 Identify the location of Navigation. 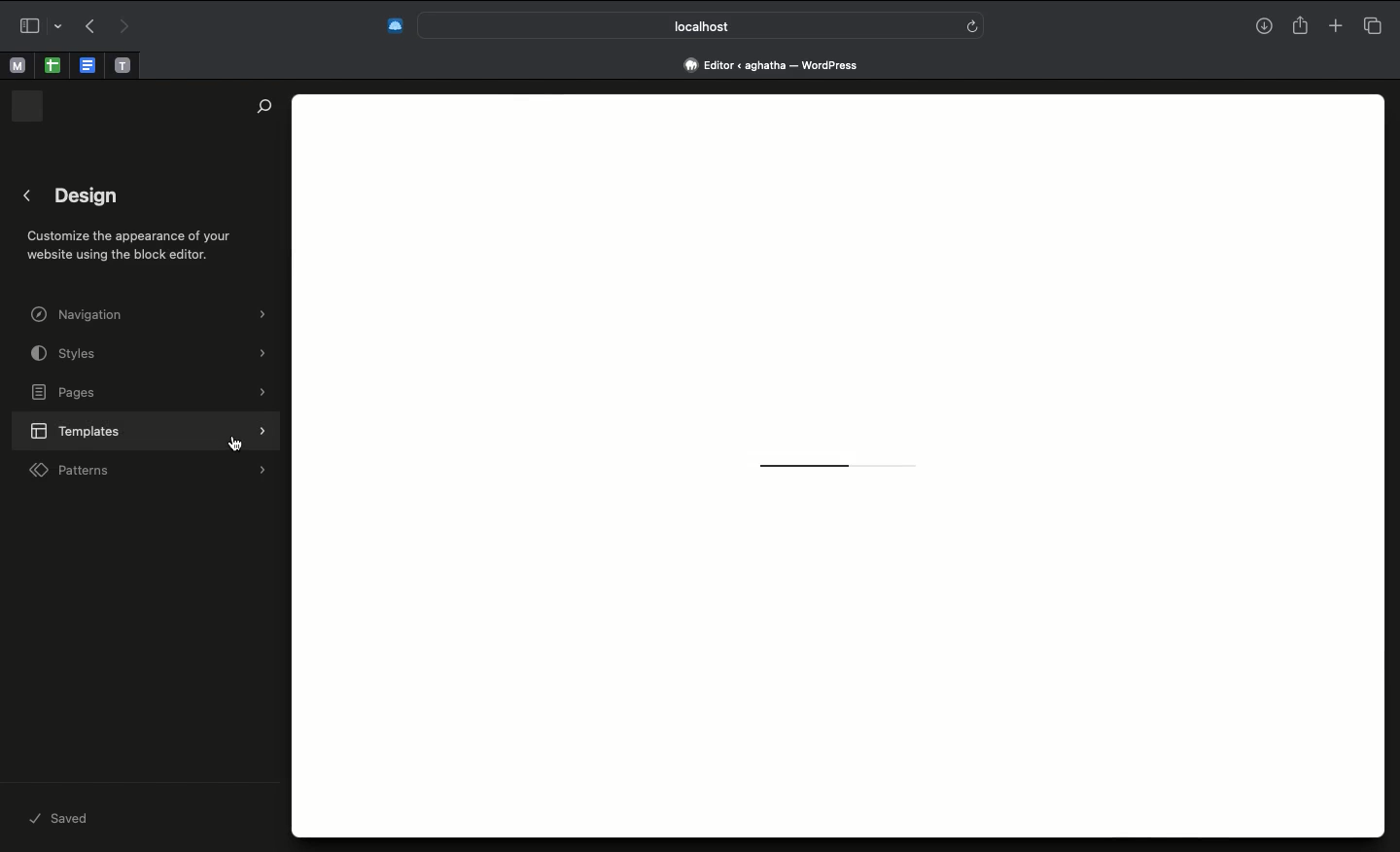
(152, 314).